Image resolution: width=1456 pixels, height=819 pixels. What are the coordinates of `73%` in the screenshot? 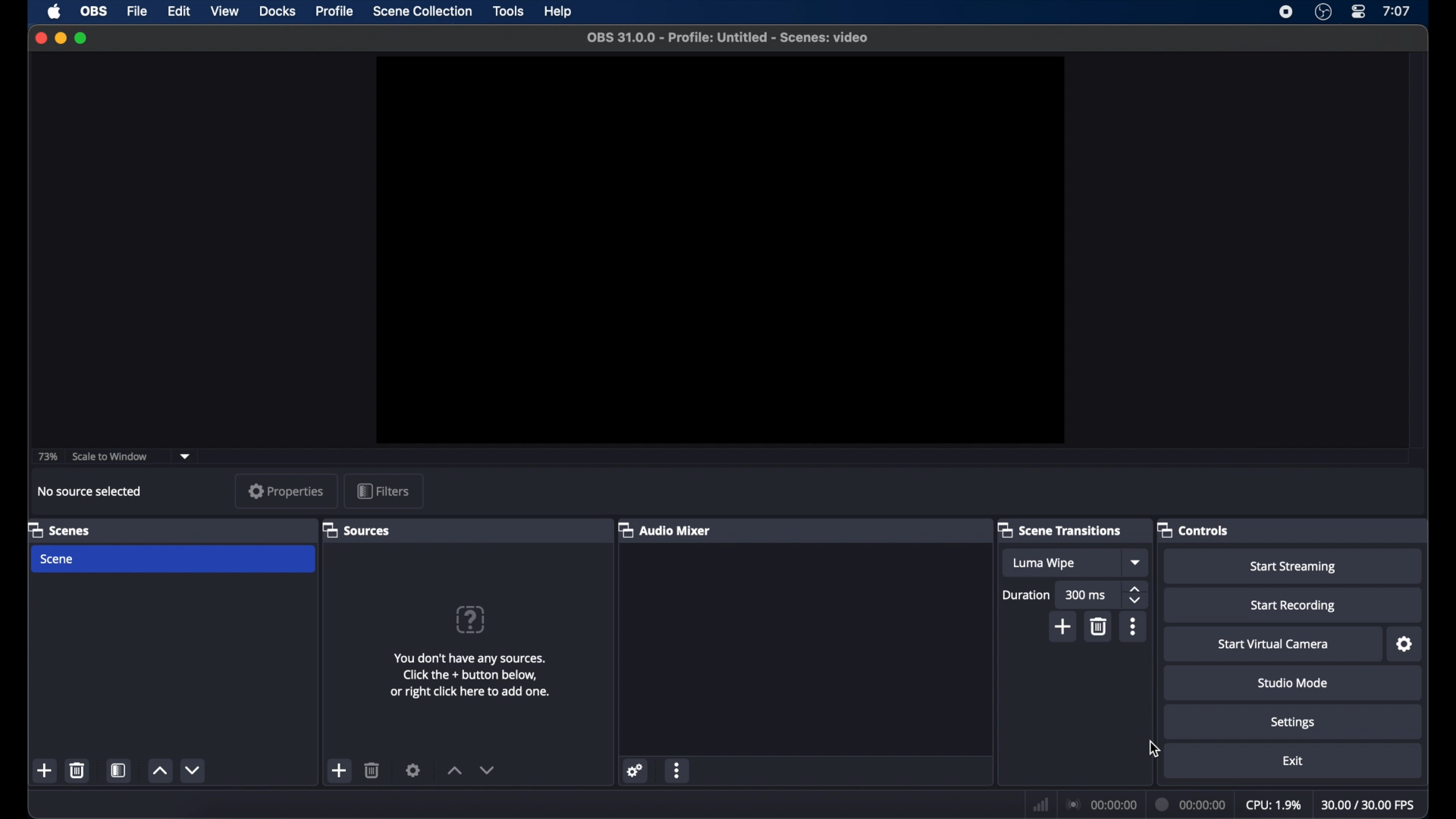 It's located at (46, 457).